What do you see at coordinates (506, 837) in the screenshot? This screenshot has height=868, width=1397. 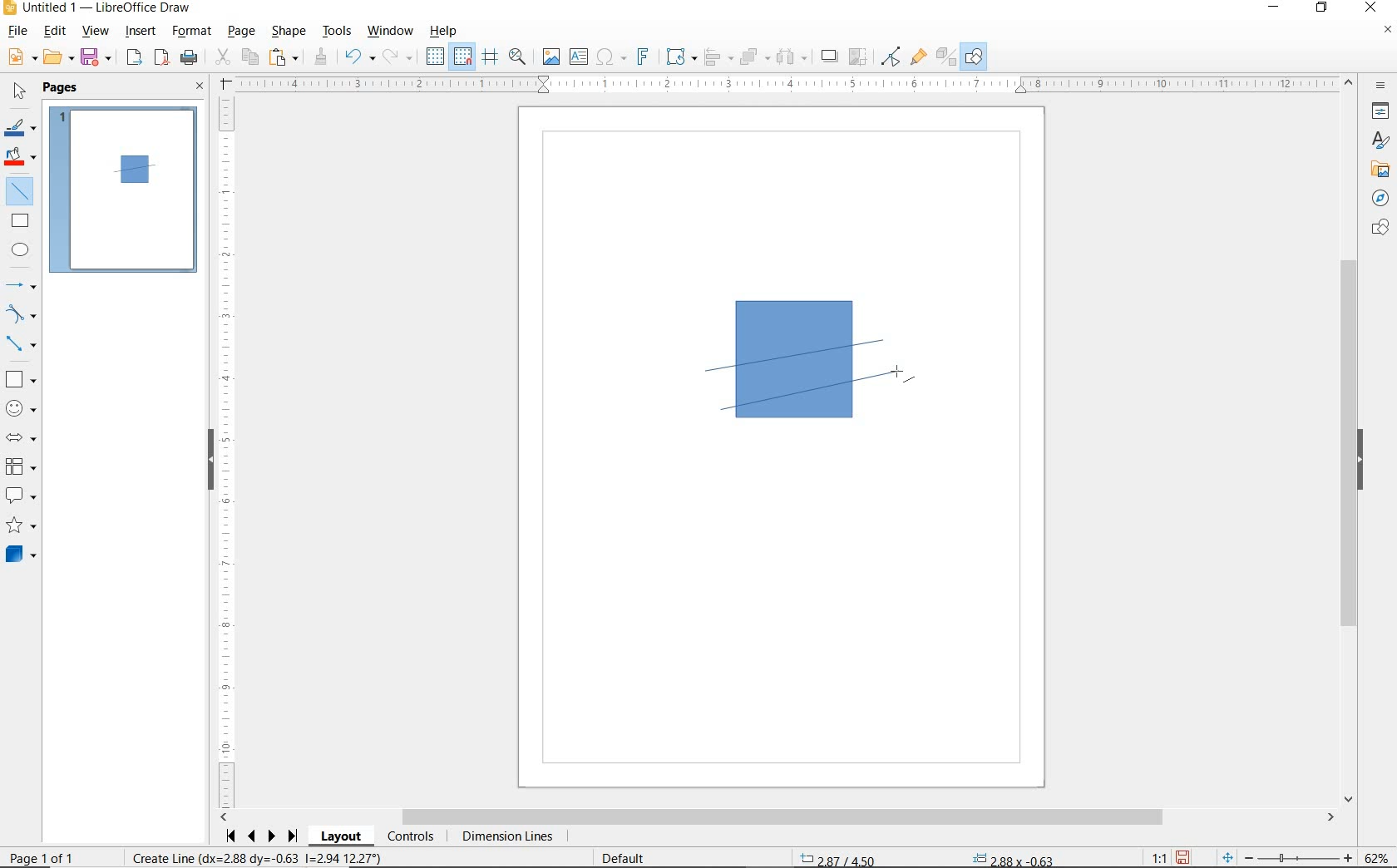 I see `DIMENSION LINES` at bounding box center [506, 837].